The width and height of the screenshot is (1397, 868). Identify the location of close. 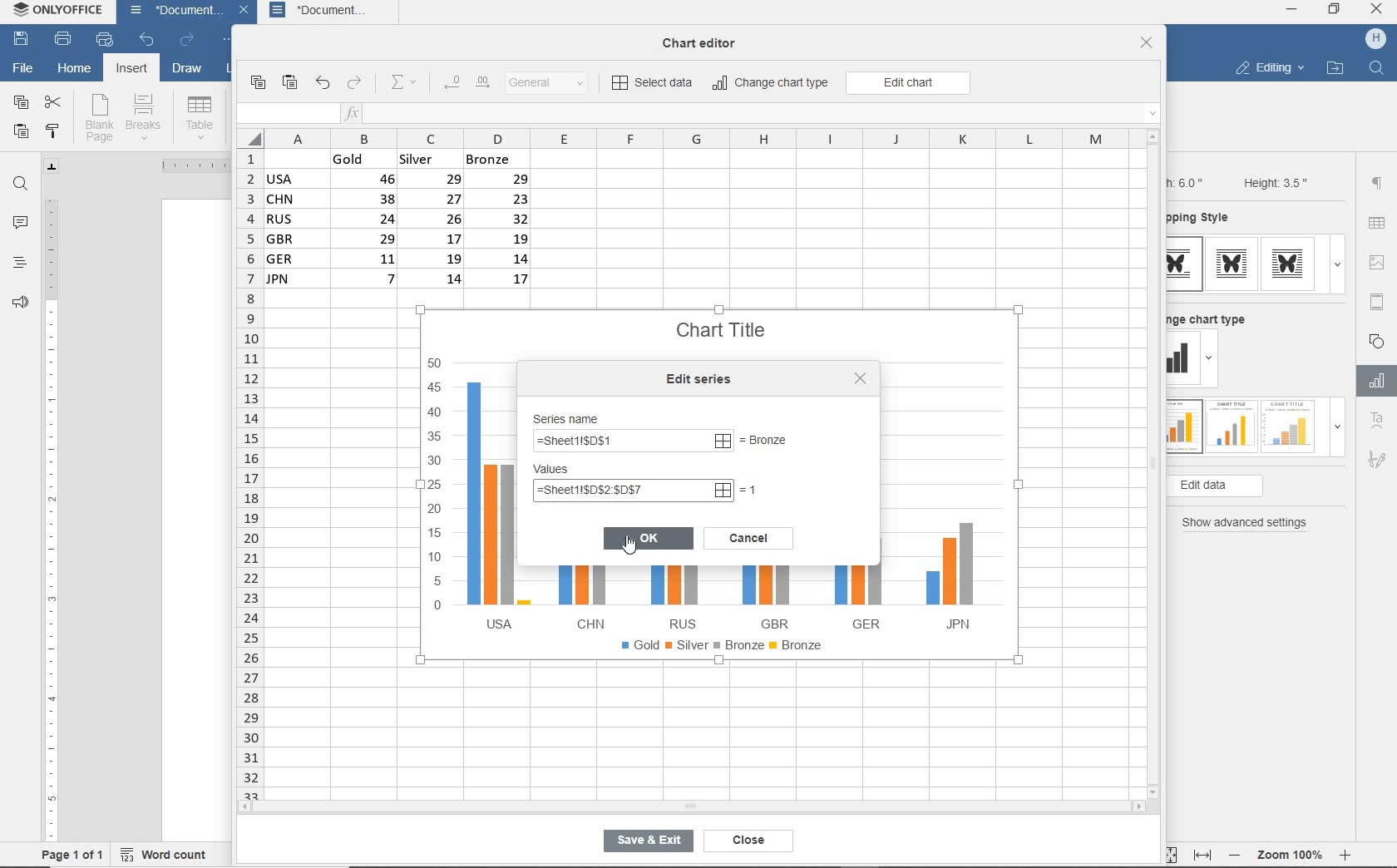
(246, 12).